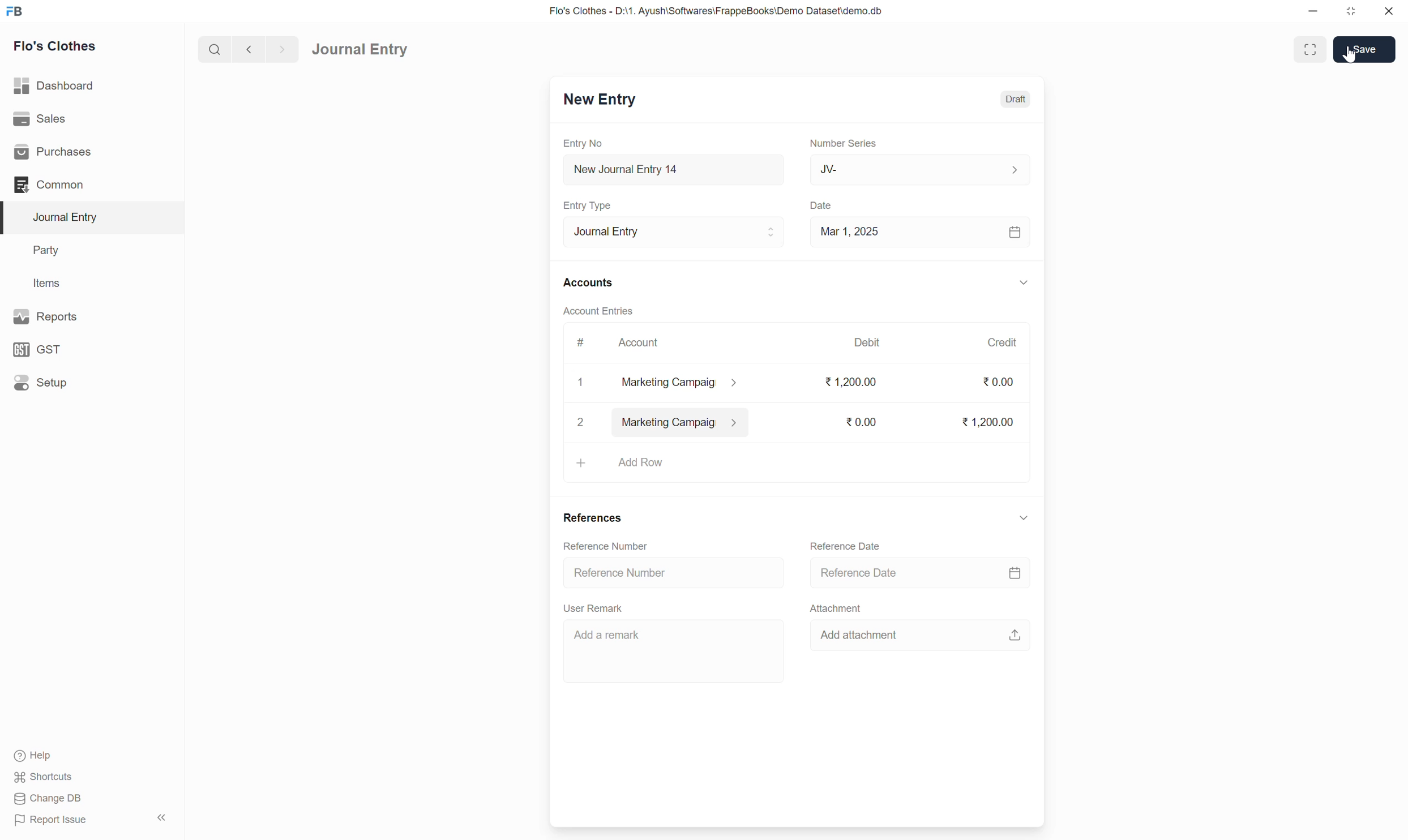 Image resolution: width=1408 pixels, height=840 pixels. Describe the element at coordinates (1313, 12) in the screenshot. I see `minimize` at that location.